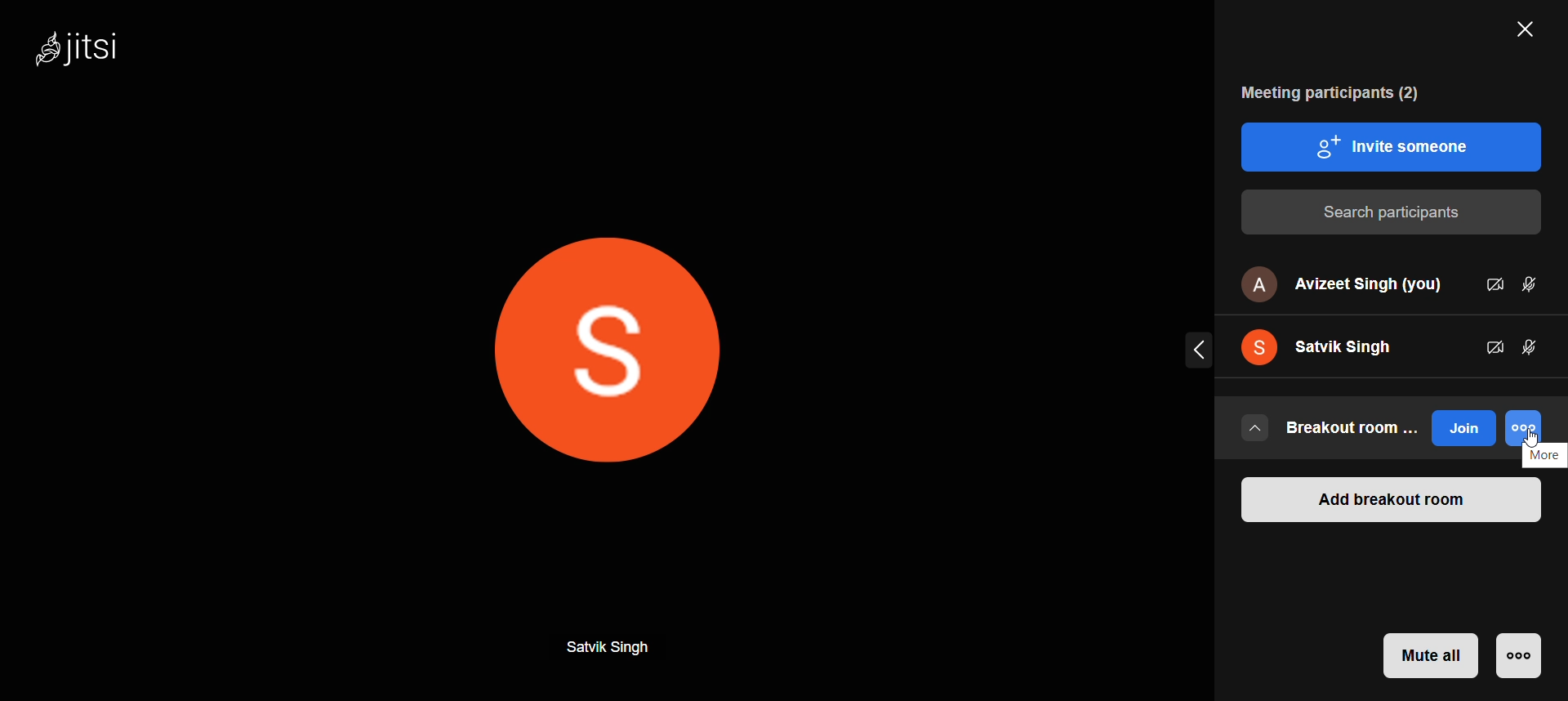  I want to click on search participants, so click(1390, 212).